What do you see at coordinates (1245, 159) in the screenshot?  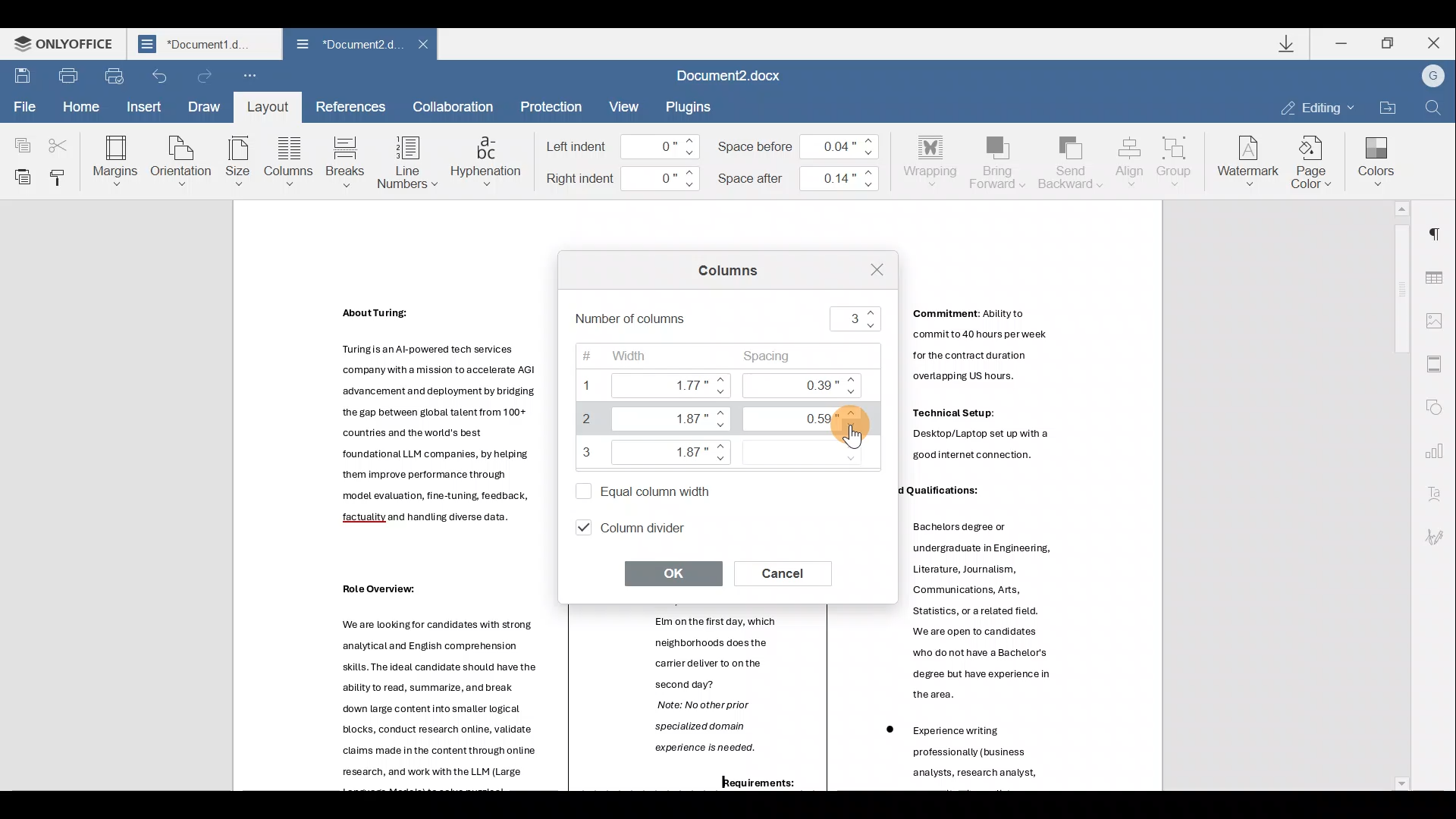 I see `Watermark` at bounding box center [1245, 159].